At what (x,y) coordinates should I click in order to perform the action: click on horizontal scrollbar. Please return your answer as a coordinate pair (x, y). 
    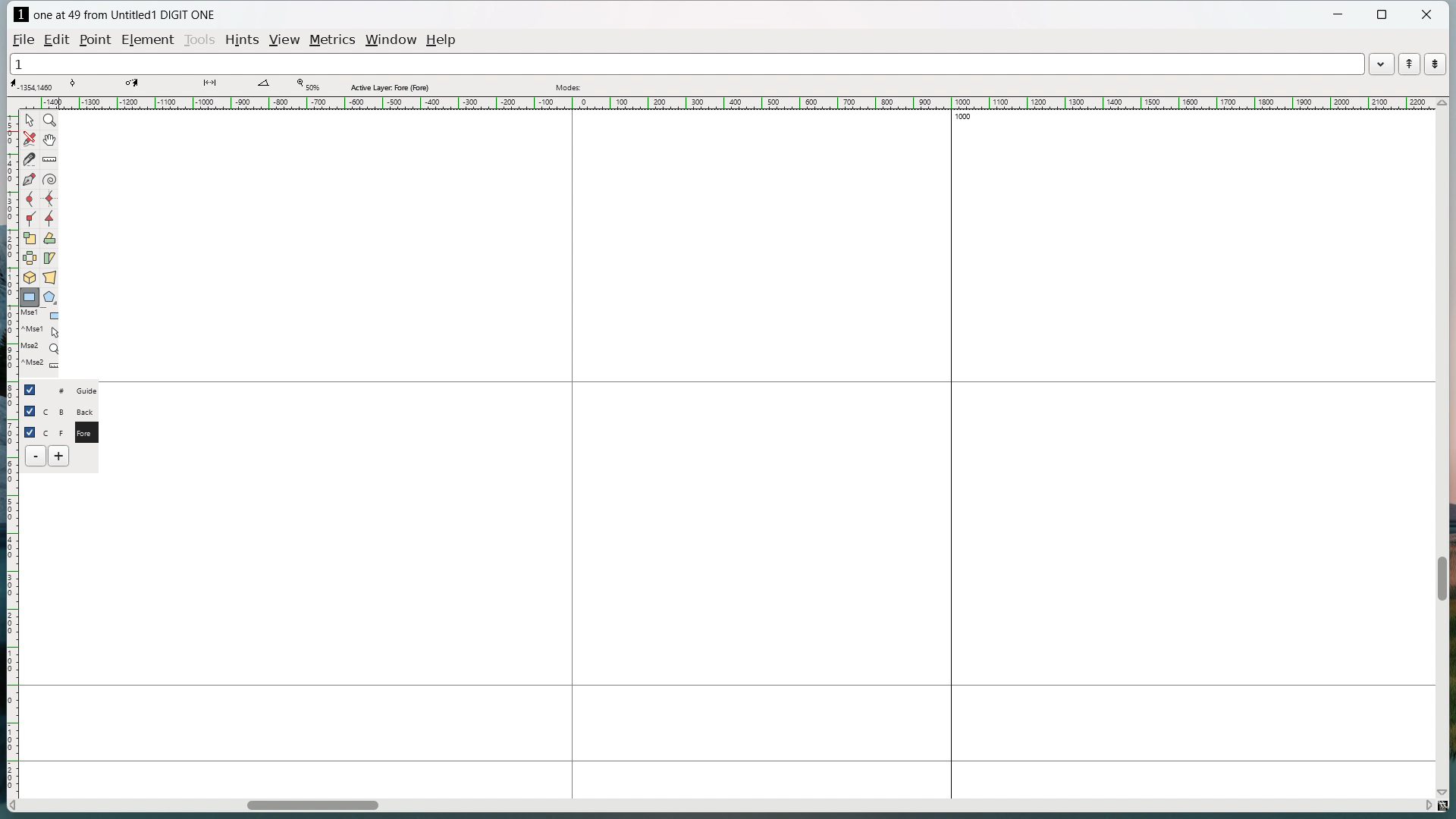
    Looking at the image, I should click on (312, 808).